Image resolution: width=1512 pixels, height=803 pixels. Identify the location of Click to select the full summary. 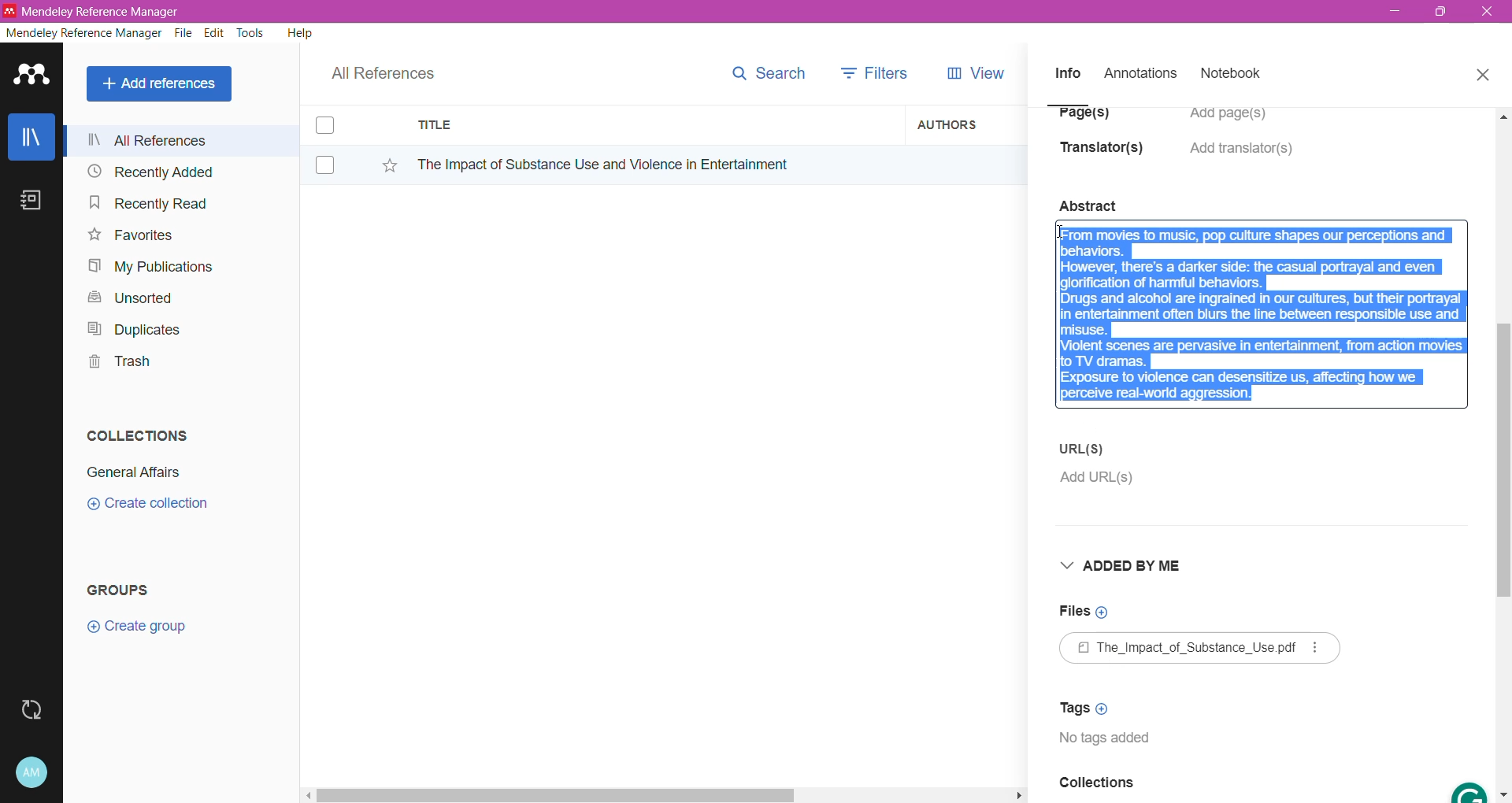
(1262, 301).